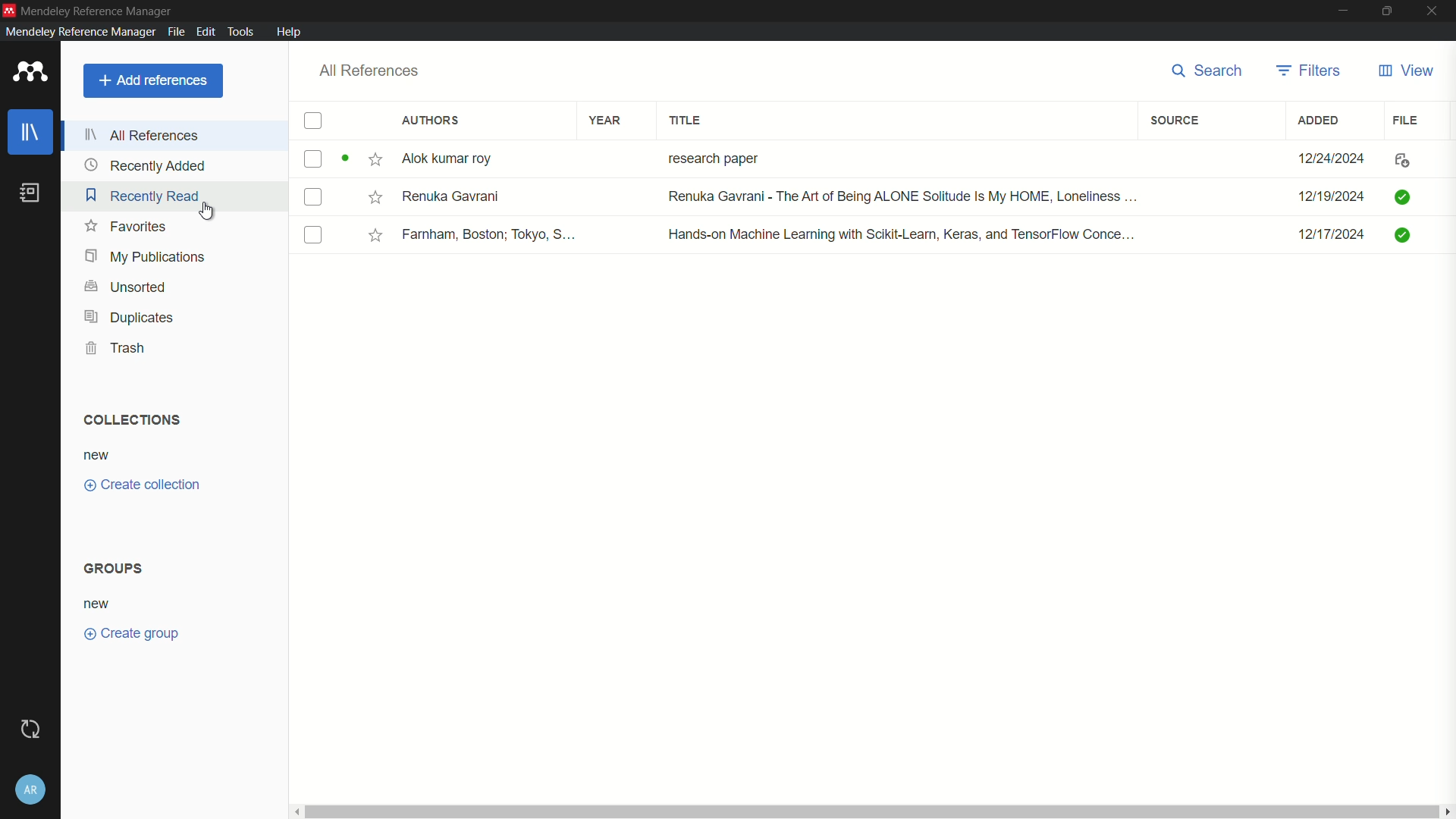 Image resolution: width=1456 pixels, height=819 pixels. Describe the element at coordinates (30, 789) in the screenshot. I see `account and help` at that location.